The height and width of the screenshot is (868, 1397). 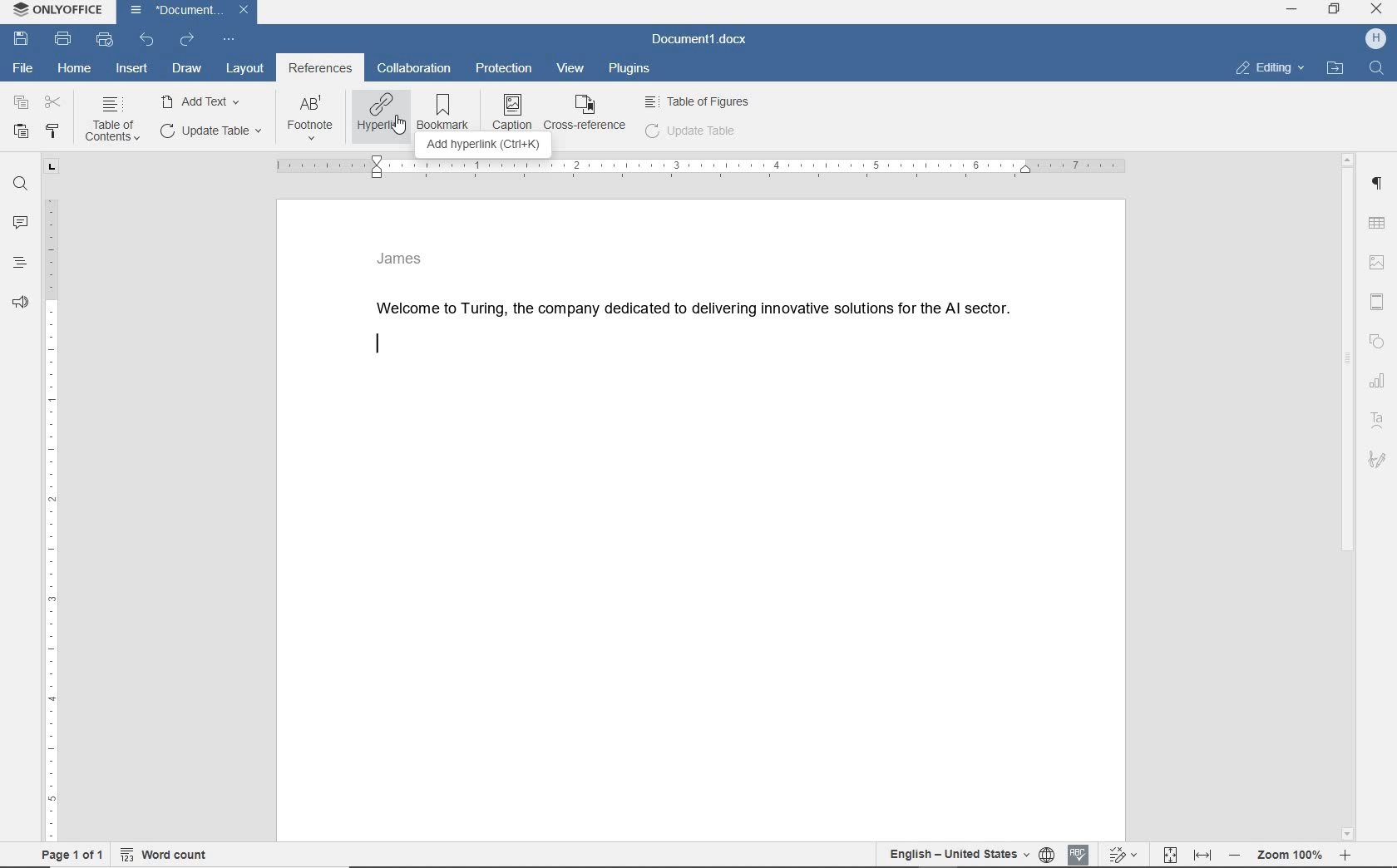 What do you see at coordinates (22, 102) in the screenshot?
I see `copy` at bounding box center [22, 102].